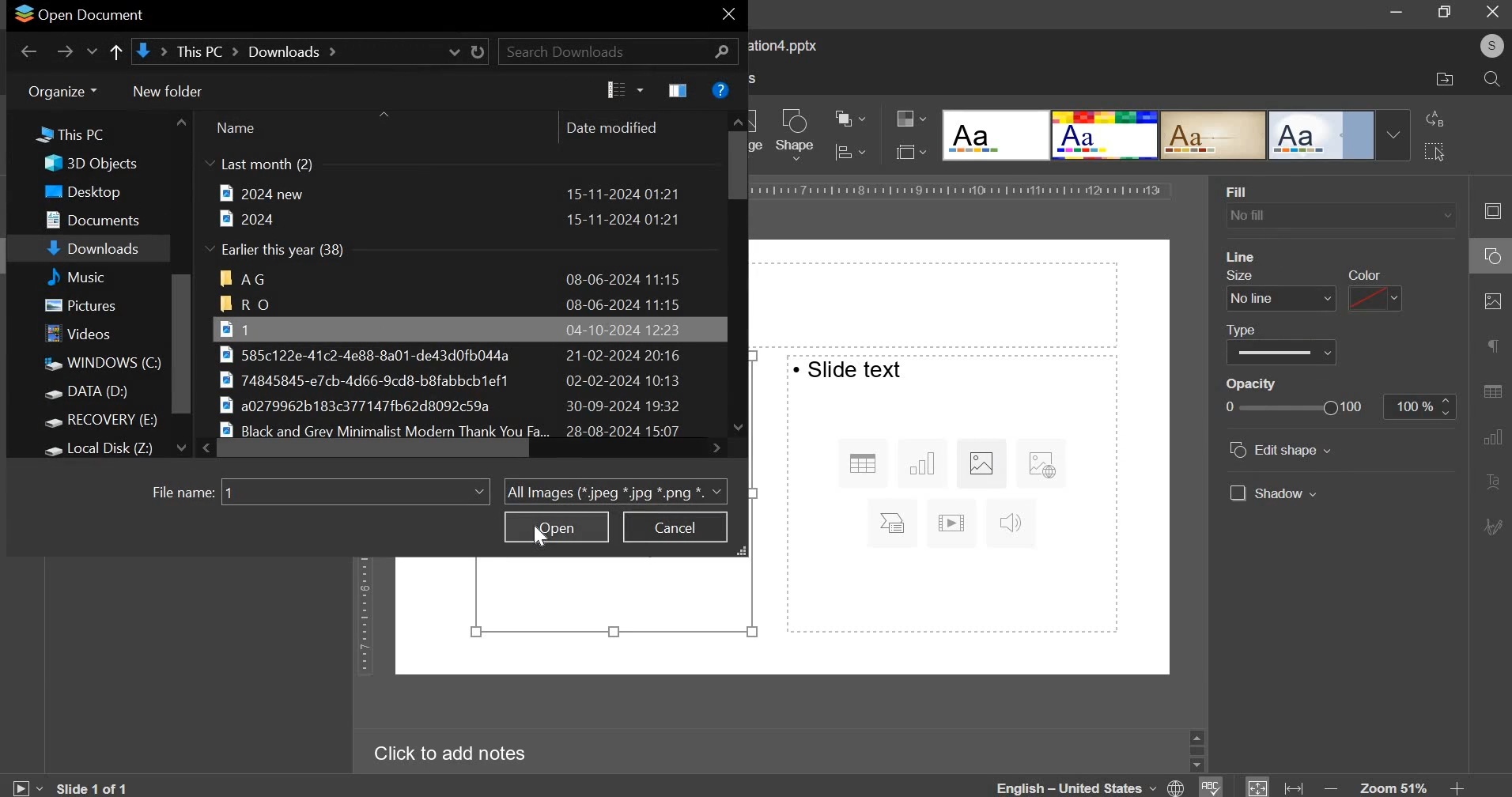 Image resolution: width=1512 pixels, height=797 pixels. Describe the element at coordinates (611, 127) in the screenshot. I see `Date modified` at that location.